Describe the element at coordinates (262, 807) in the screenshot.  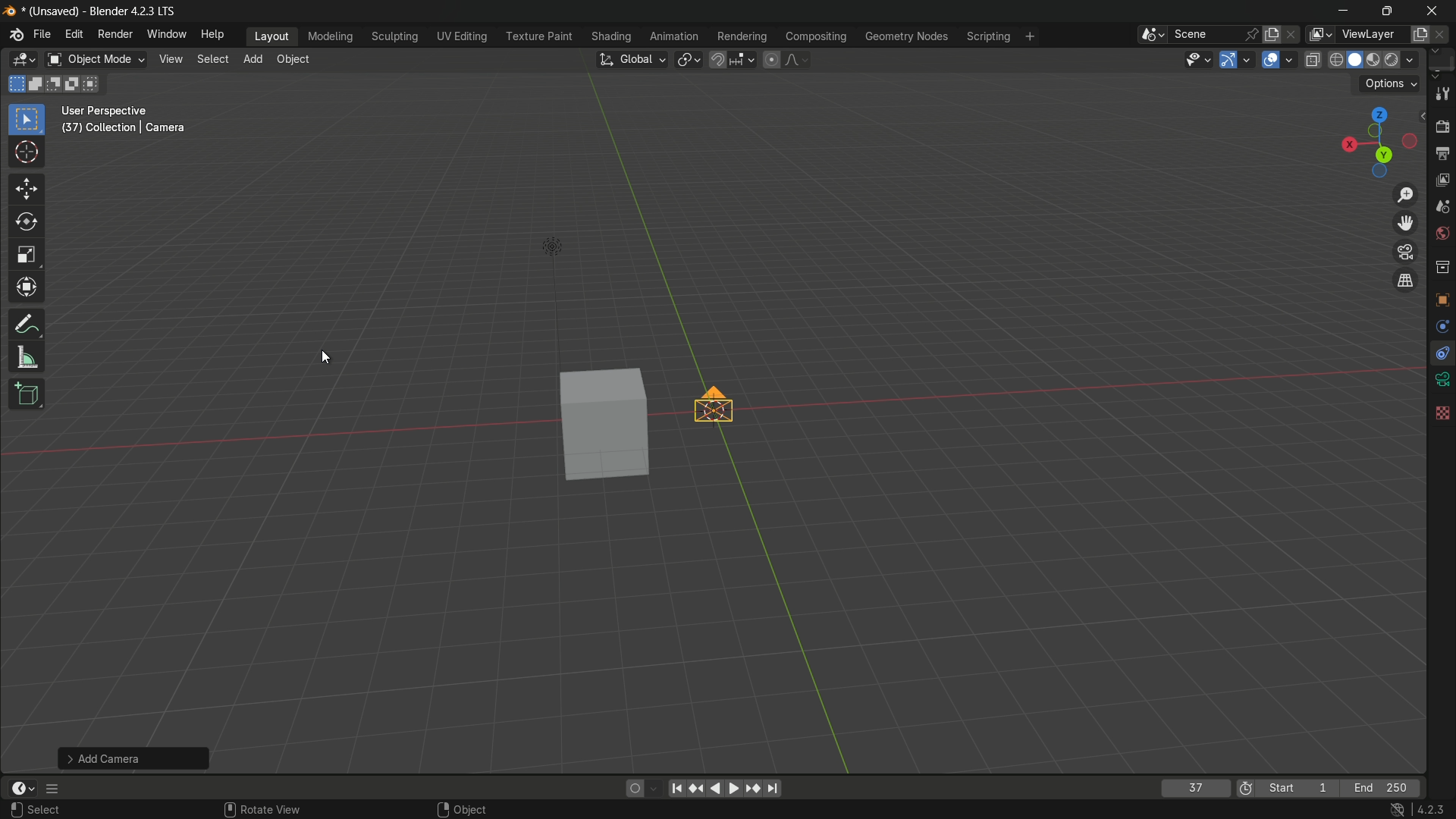
I see `rotate view` at that location.